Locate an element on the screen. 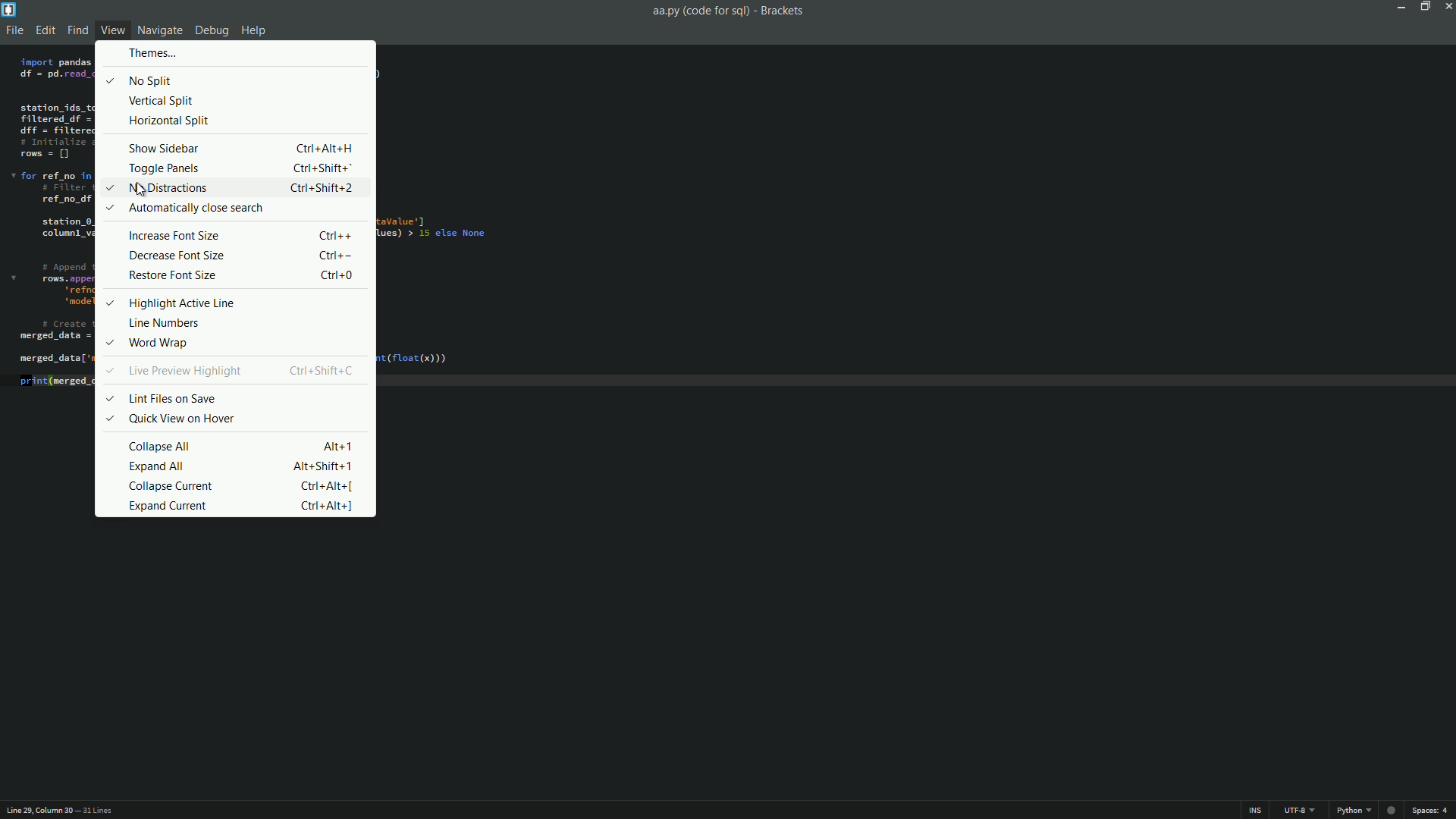 This screenshot has width=1456, height=819. Vertical split  is located at coordinates (164, 100).